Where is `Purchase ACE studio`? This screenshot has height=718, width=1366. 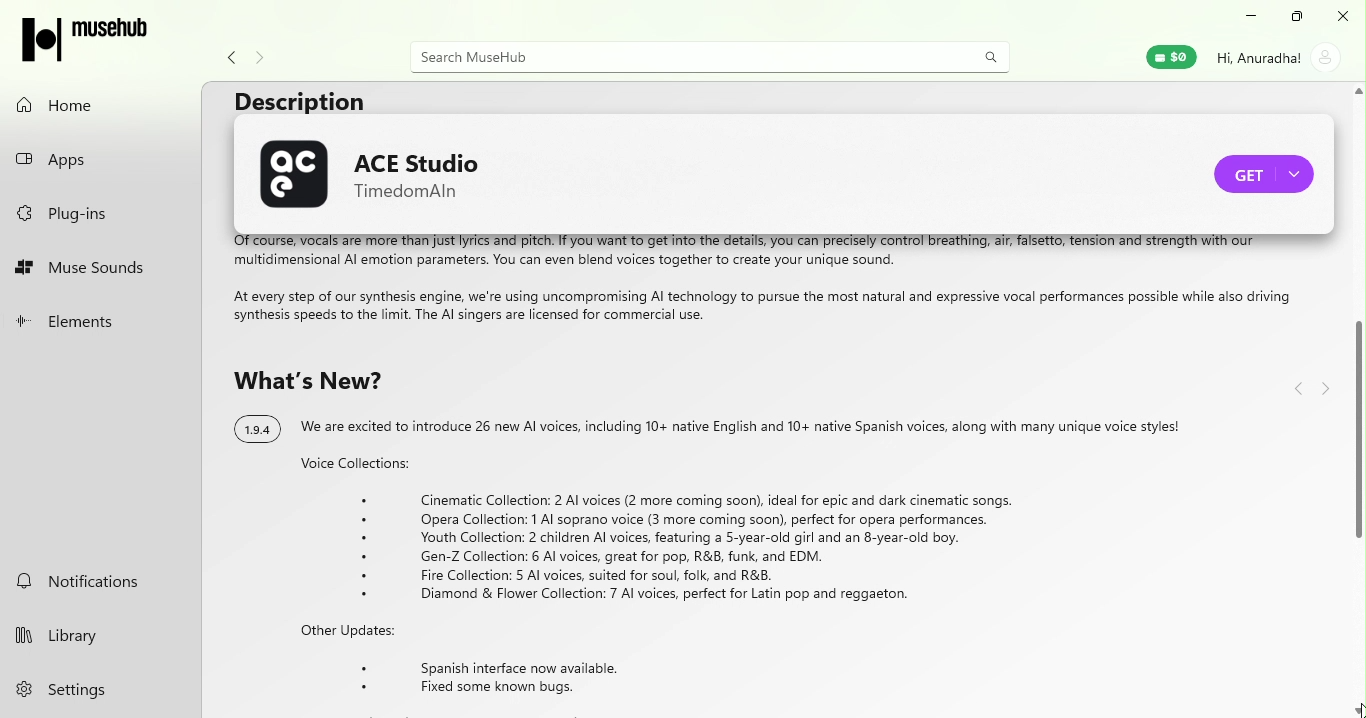 Purchase ACE studio is located at coordinates (1263, 171).